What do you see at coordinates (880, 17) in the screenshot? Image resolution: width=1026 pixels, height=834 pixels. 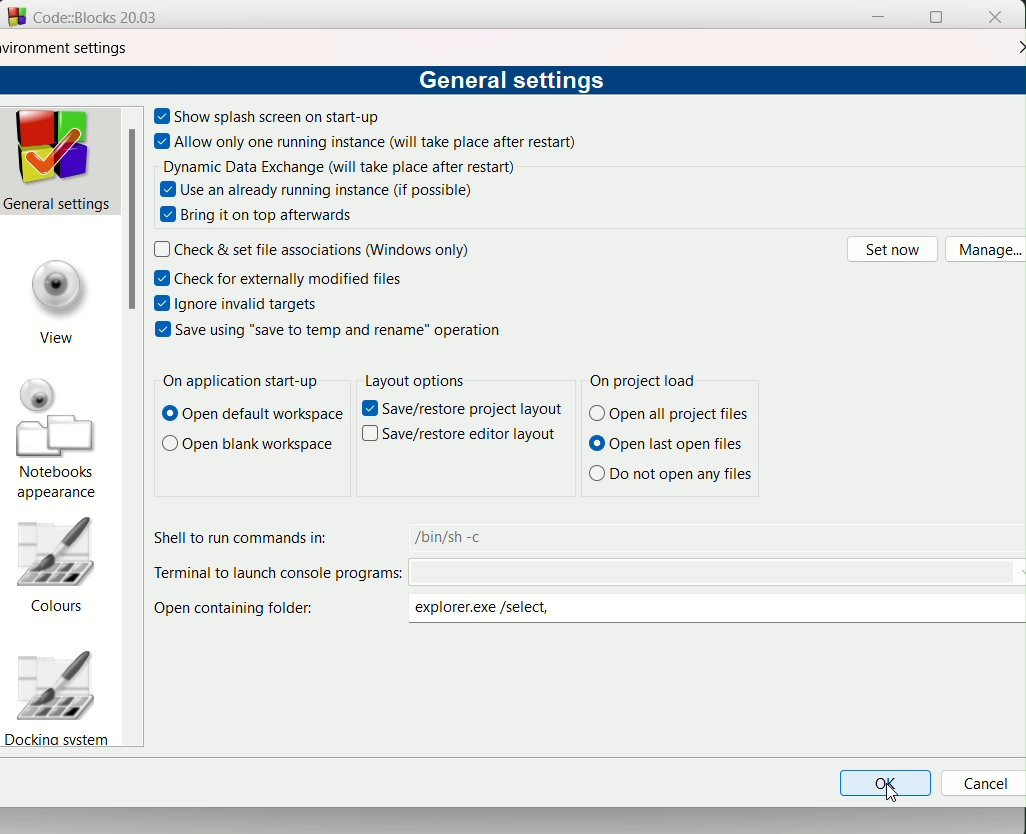 I see `minimize` at bounding box center [880, 17].